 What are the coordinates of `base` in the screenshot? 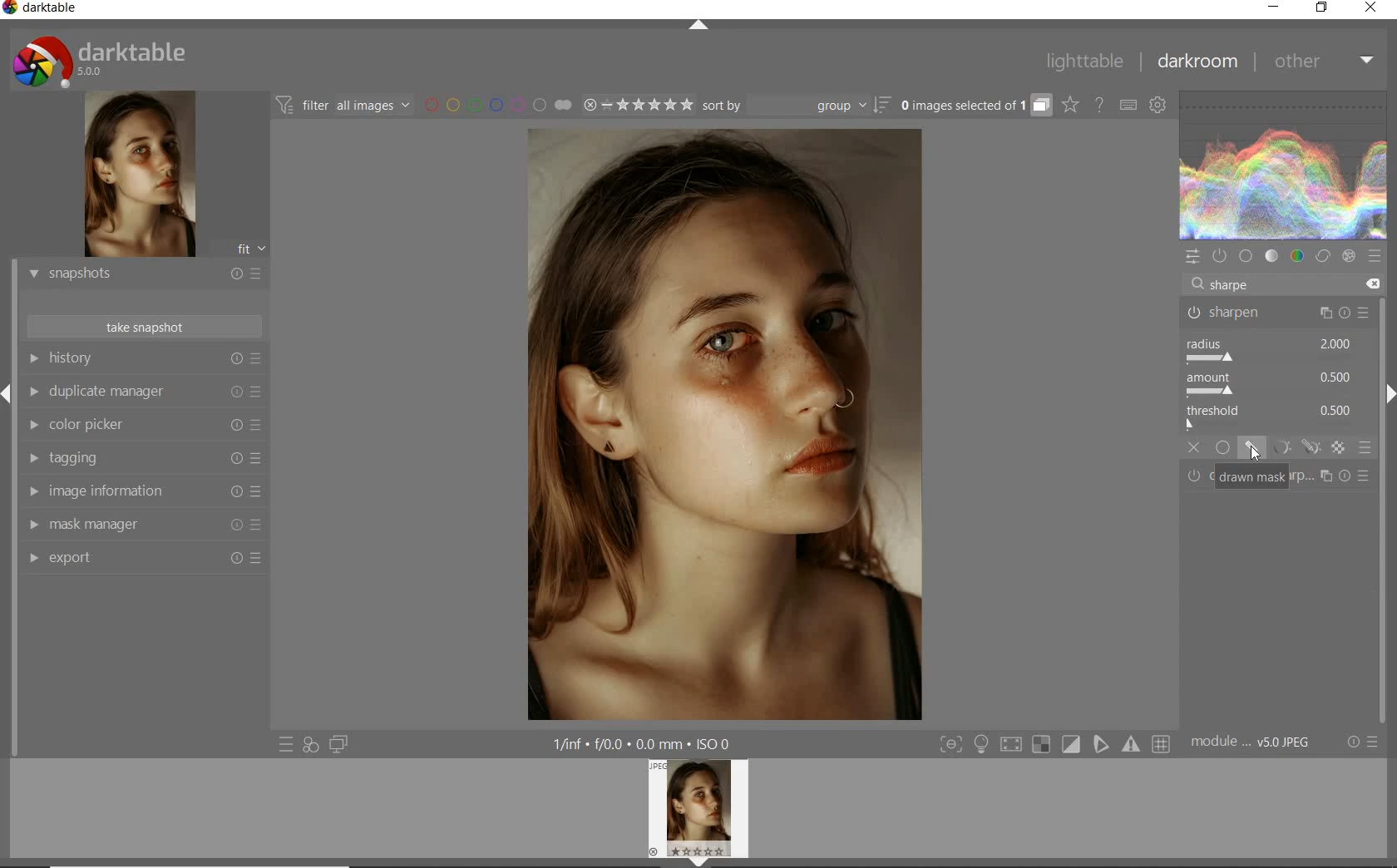 It's located at (1247, 257).